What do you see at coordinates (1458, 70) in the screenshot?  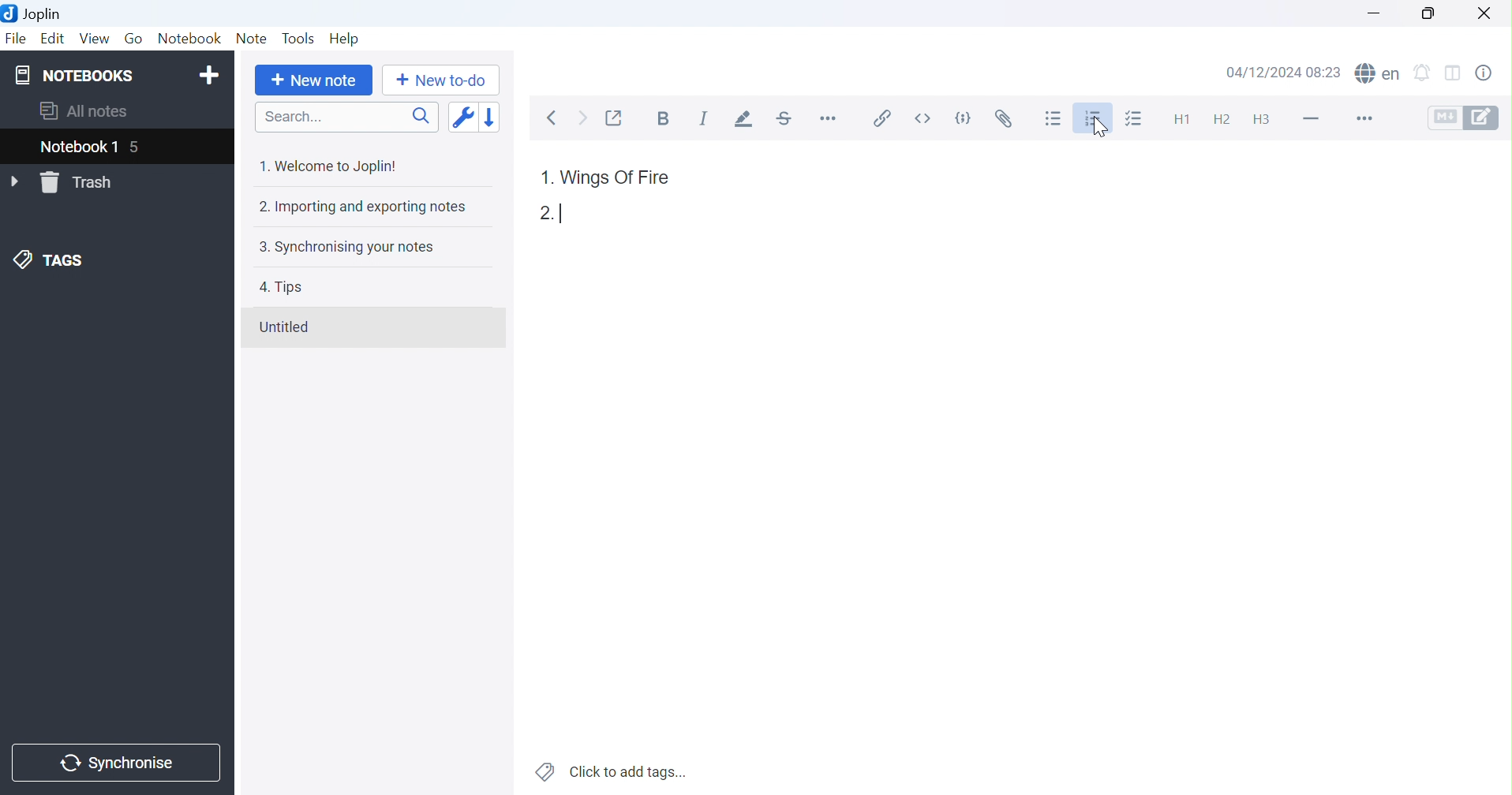 I see `Toggle editor layout` at bounding box center [1458, 70].